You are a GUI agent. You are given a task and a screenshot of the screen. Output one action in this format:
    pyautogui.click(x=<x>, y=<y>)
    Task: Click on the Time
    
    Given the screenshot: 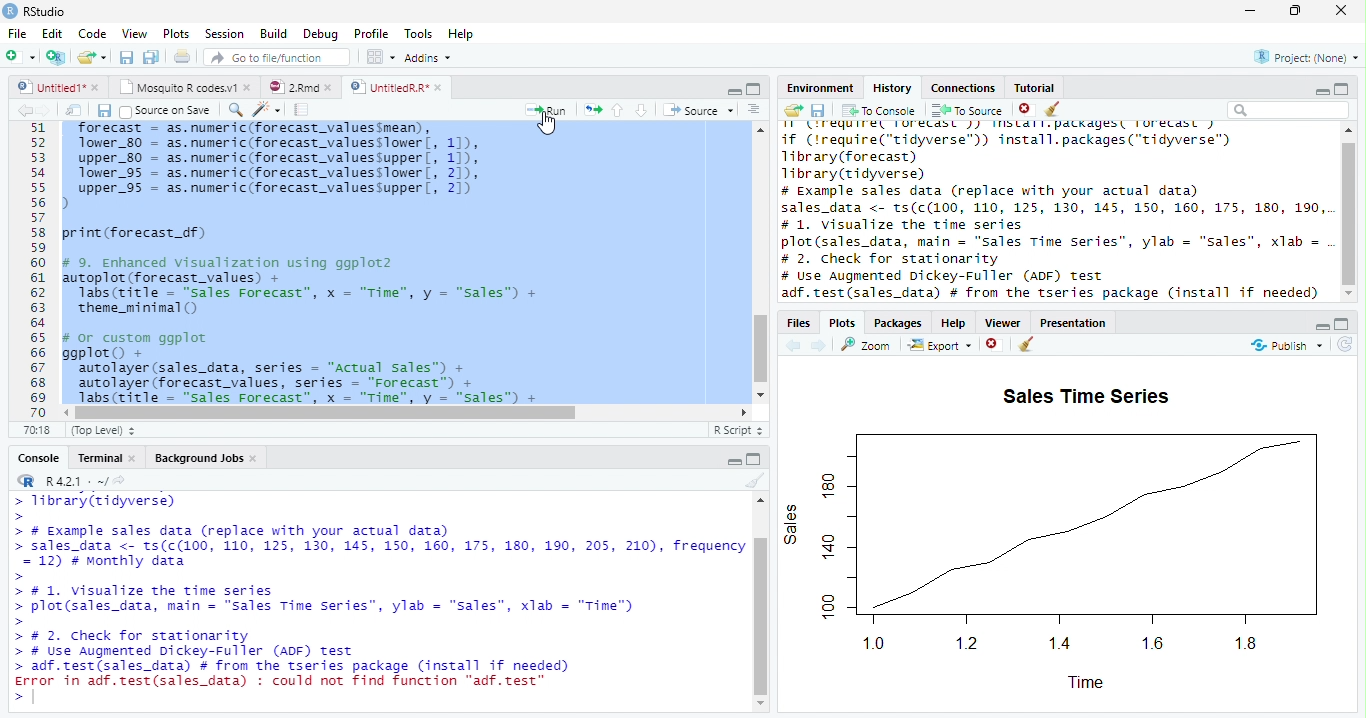 What is the action you would take?
    pyautogui.click(x=1086, y=685)
    